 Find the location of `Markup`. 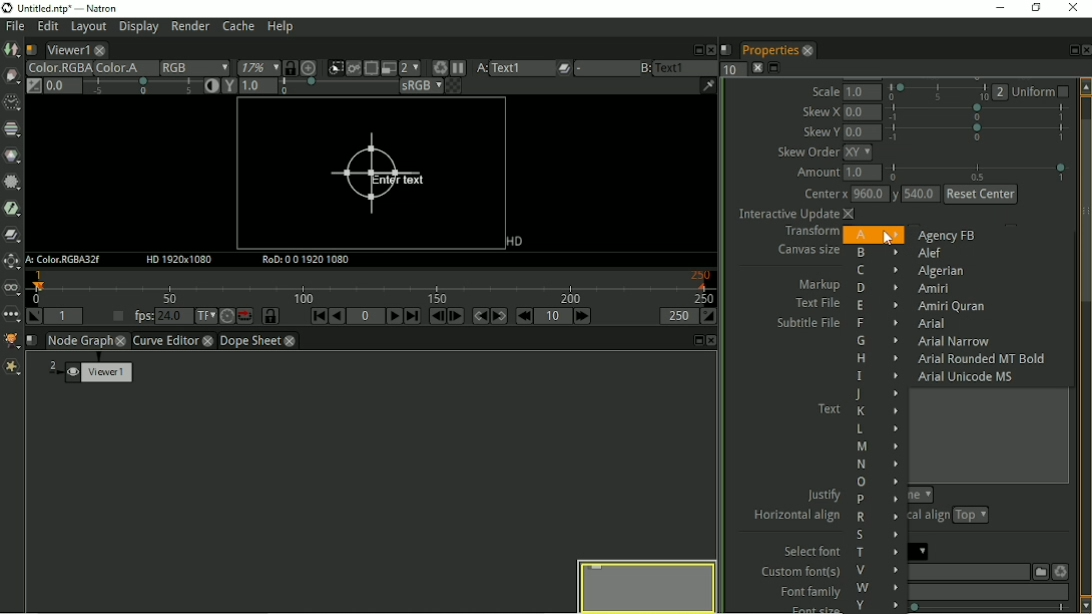

Markup is located at coordinates (820, 284).